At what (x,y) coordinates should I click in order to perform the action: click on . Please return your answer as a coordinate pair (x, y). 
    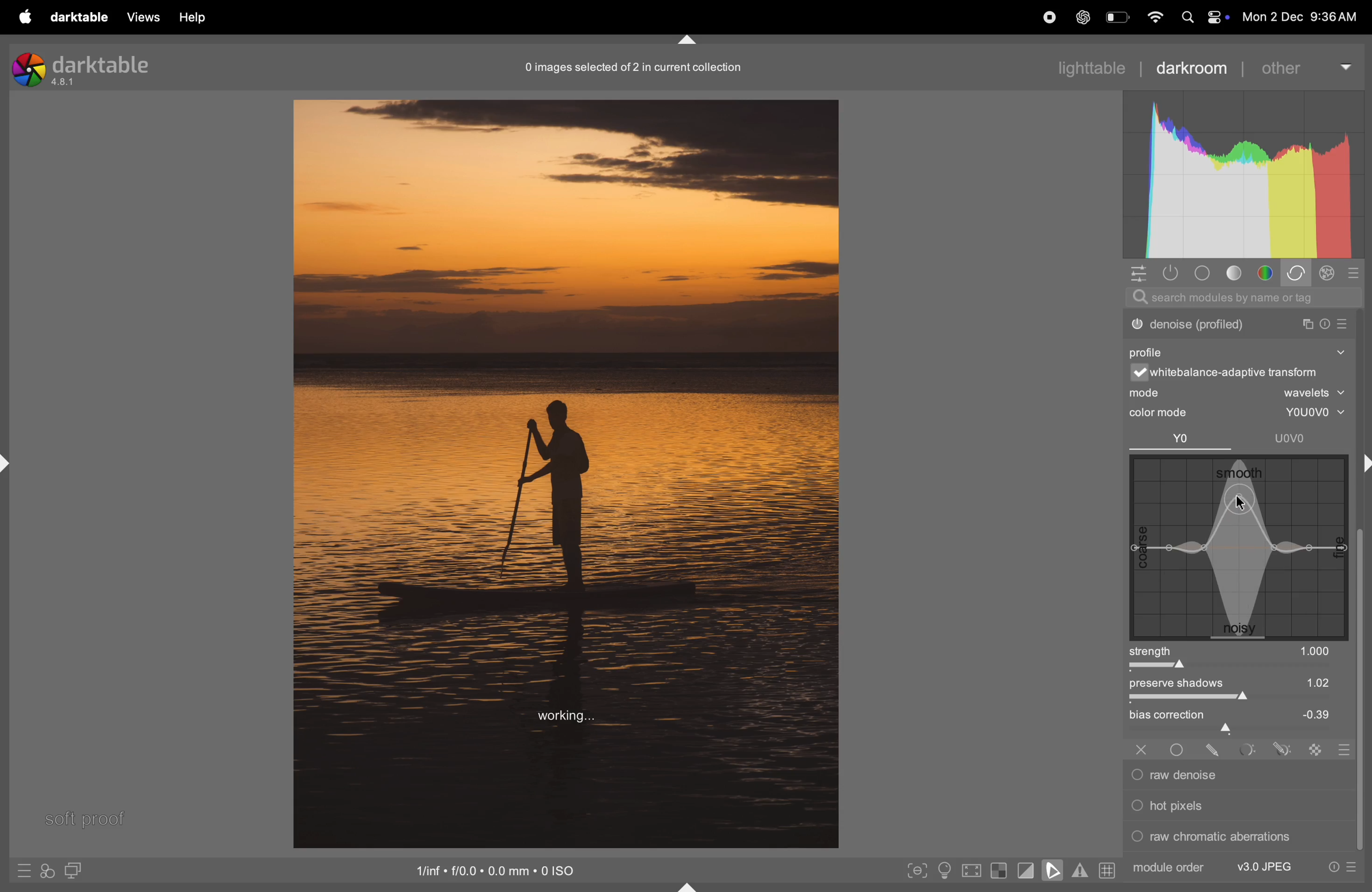
    Looking at the image, I should click on (1179, 747).